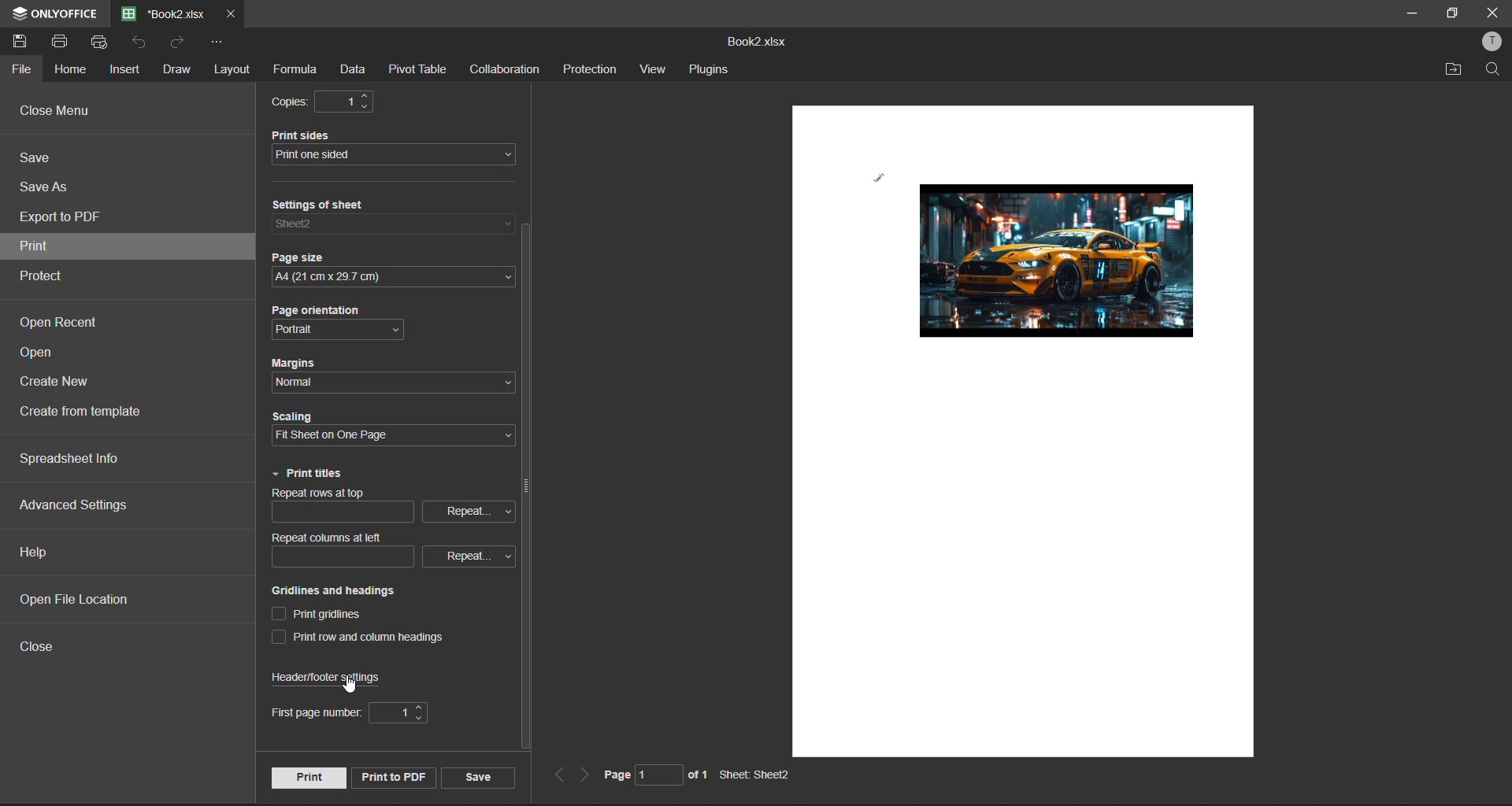 This screenshot has height=806, width=1512. Describe the element at coordinates (321, 616) in the screenshot. I see `print gridlines` at that location.